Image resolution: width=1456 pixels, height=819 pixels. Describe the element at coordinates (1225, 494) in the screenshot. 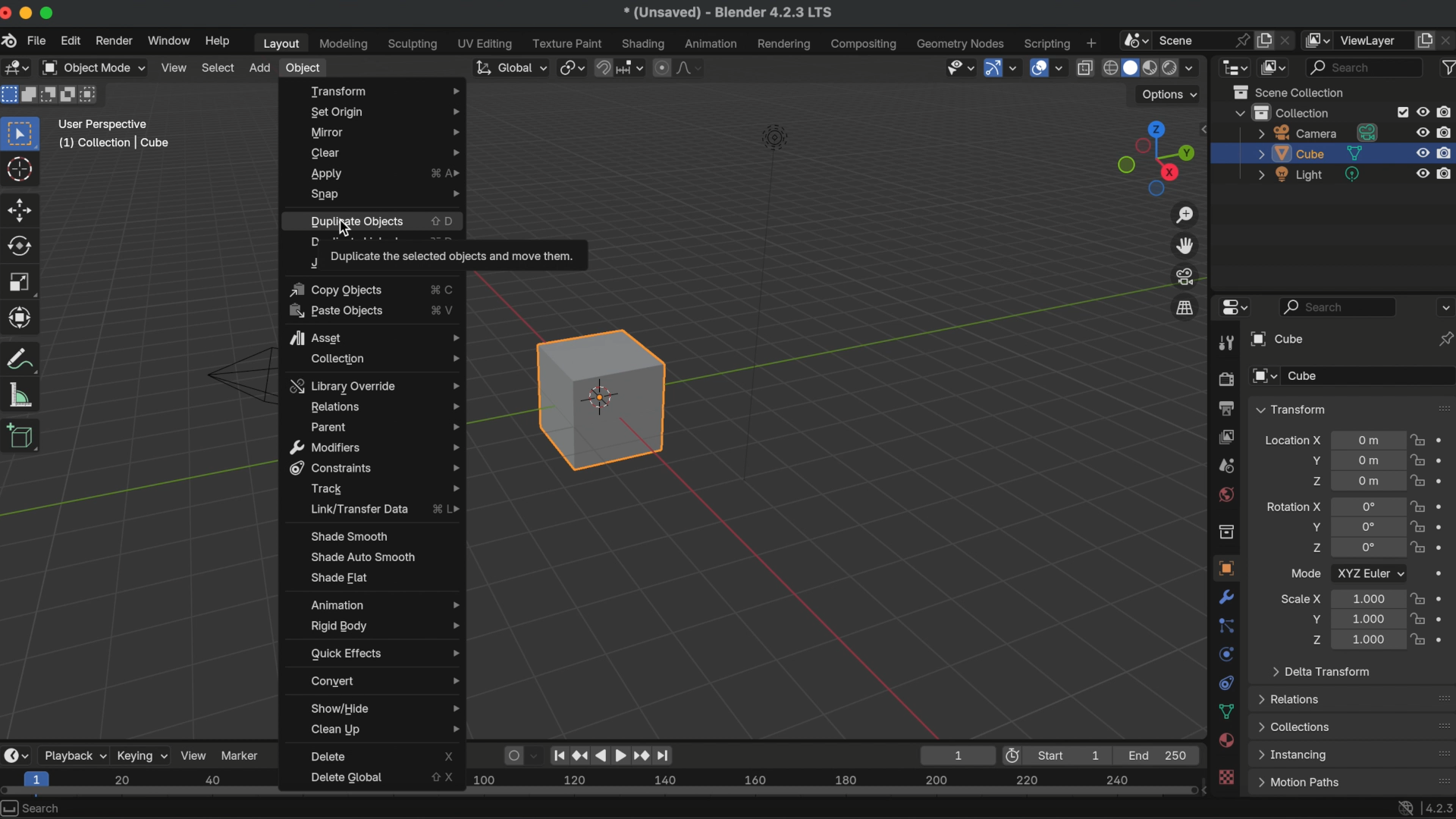

I see `world` at that location.